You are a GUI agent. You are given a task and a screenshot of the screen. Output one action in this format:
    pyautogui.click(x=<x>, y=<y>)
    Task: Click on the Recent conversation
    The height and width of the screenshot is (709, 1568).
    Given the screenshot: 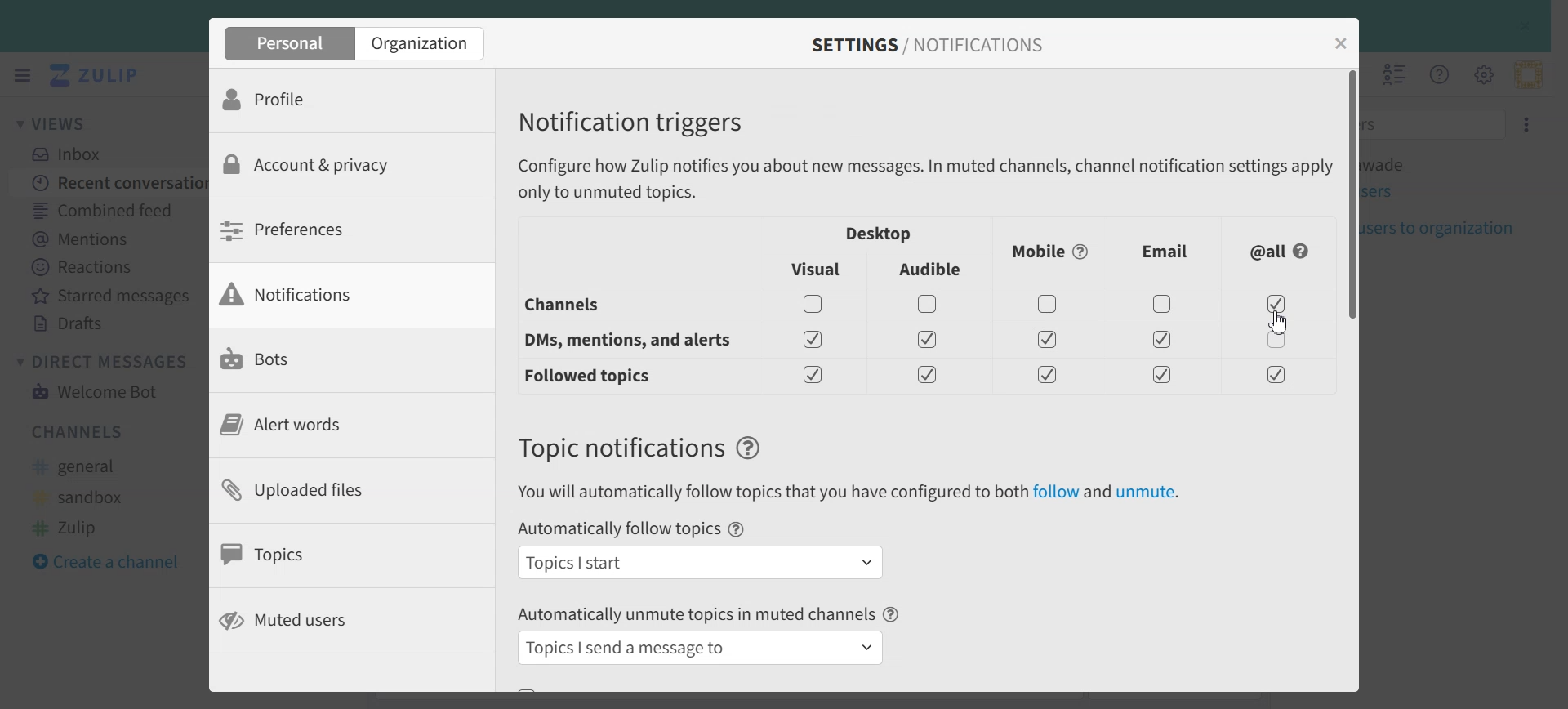 What is the action you would take?
    pyautogui.click(x=109, y=181)
    